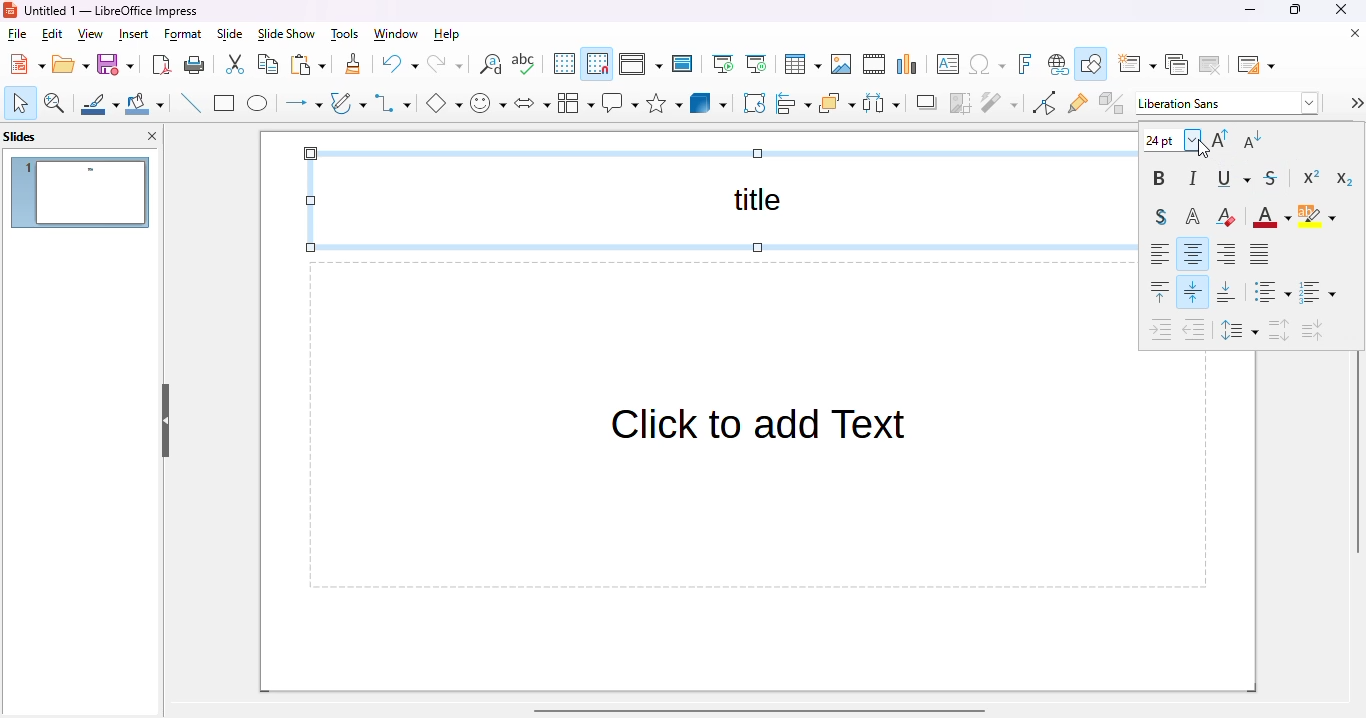  Describe the element at coordinates (1161, 217) in the screenshot. I see `toggle shadow` at that location.